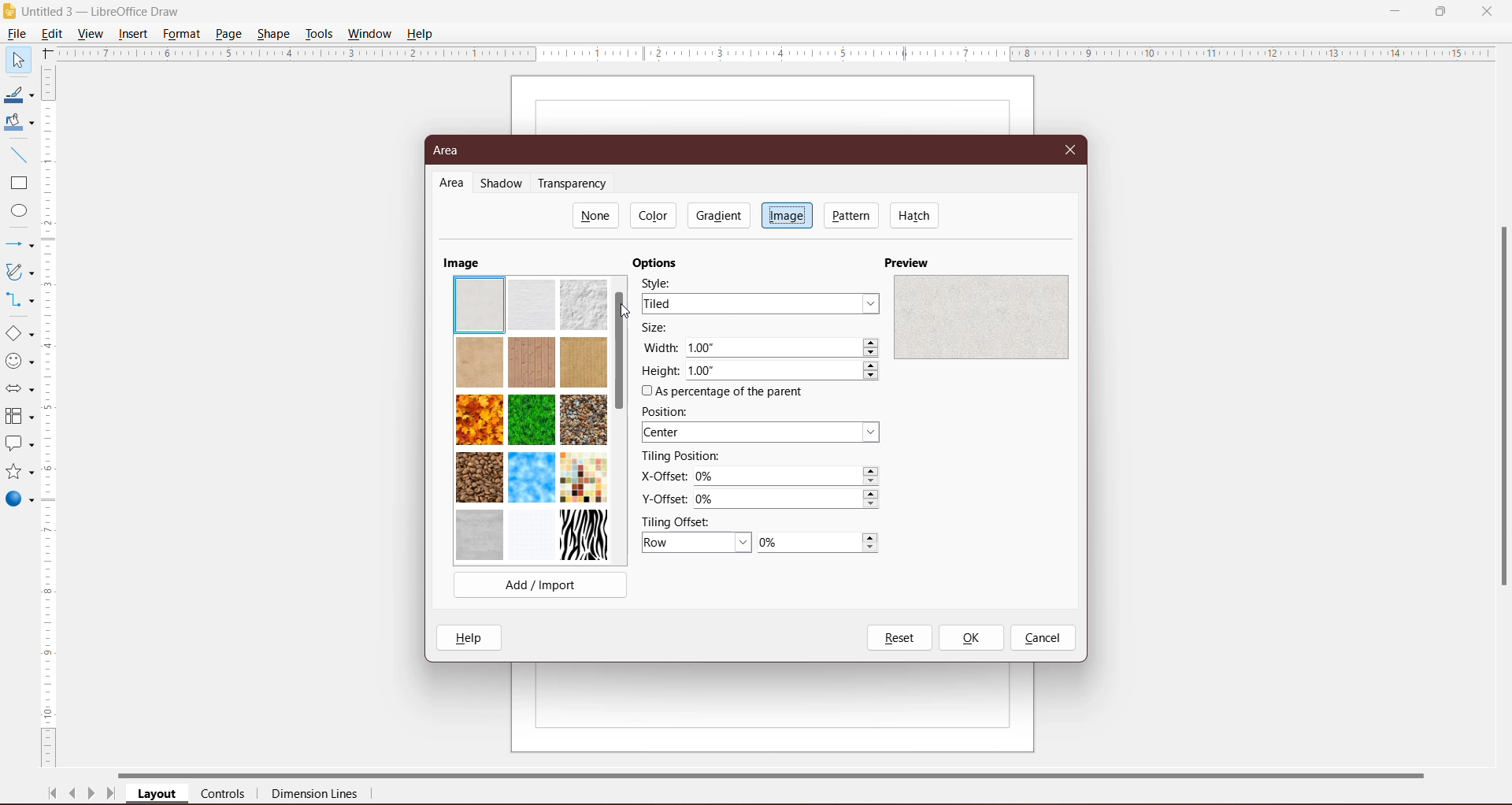 The width and height of the screenshot is (1512, 805). Describe the element at coordinates (1499, 427) in the screenshot. I see `scrollbar` at that location.